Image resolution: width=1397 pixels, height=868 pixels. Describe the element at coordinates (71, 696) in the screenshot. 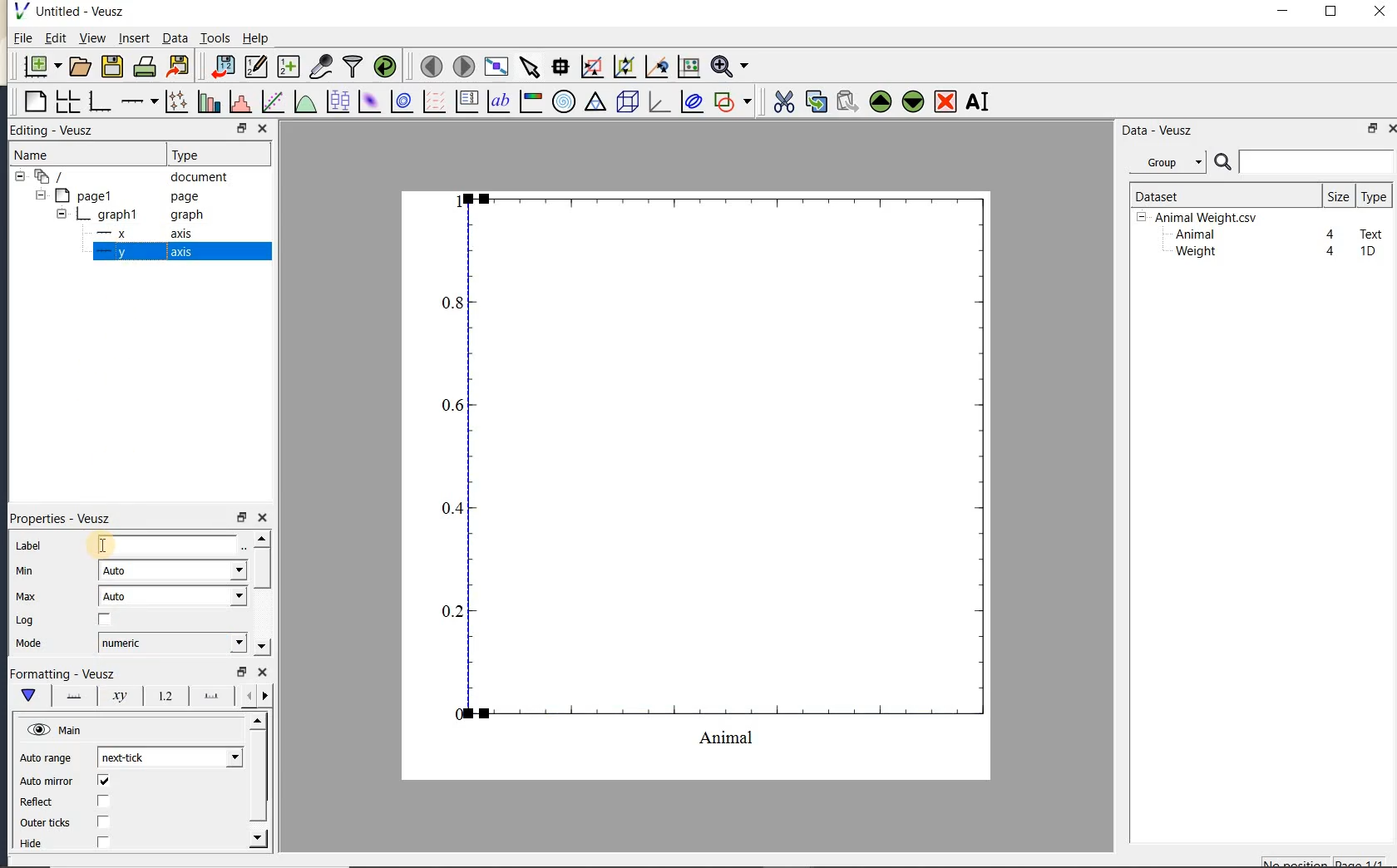

I see `axis line` at that location.